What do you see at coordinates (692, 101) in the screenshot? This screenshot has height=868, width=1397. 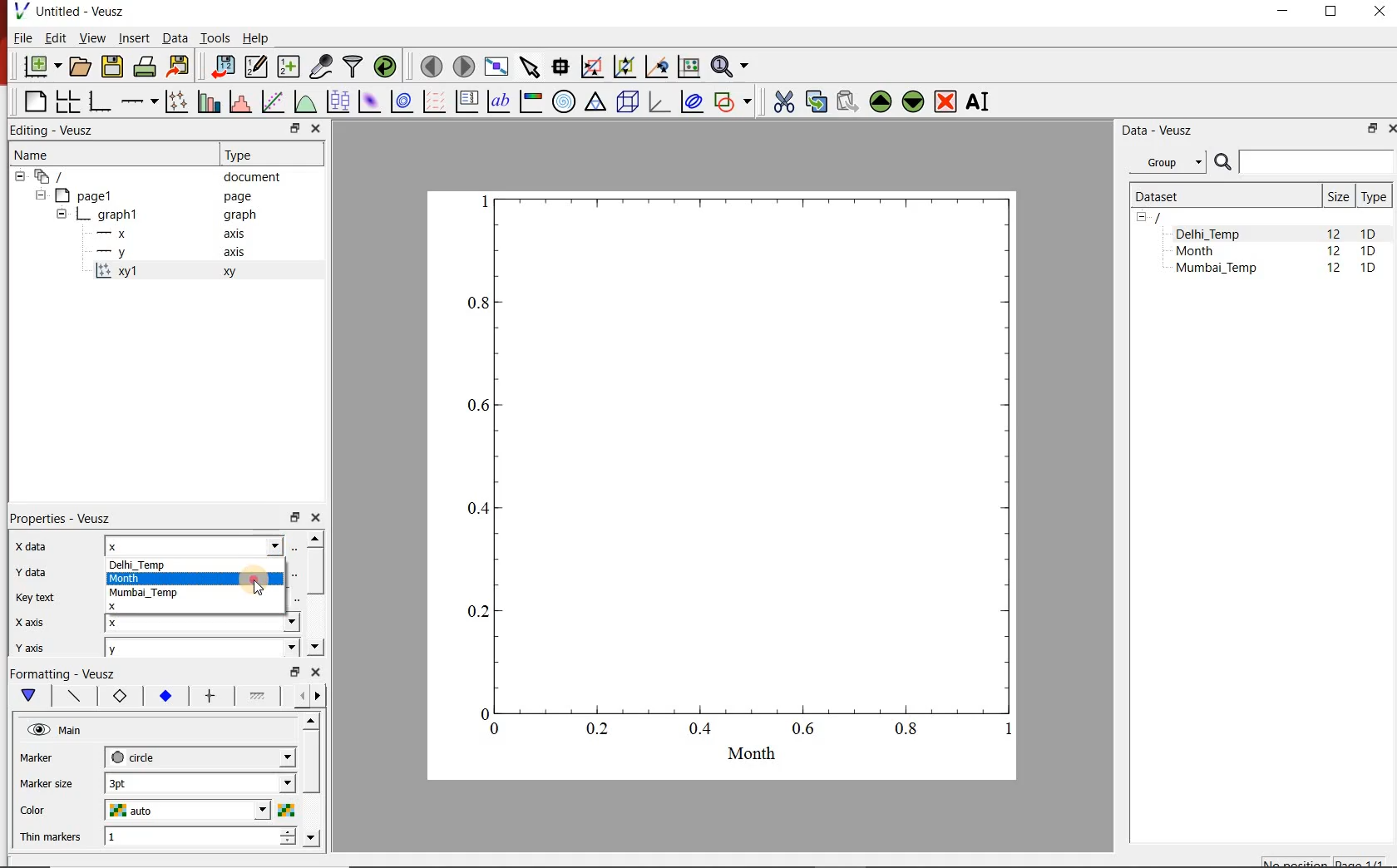 I see `plot covariance ellipses` at bounding box center [692, 101].